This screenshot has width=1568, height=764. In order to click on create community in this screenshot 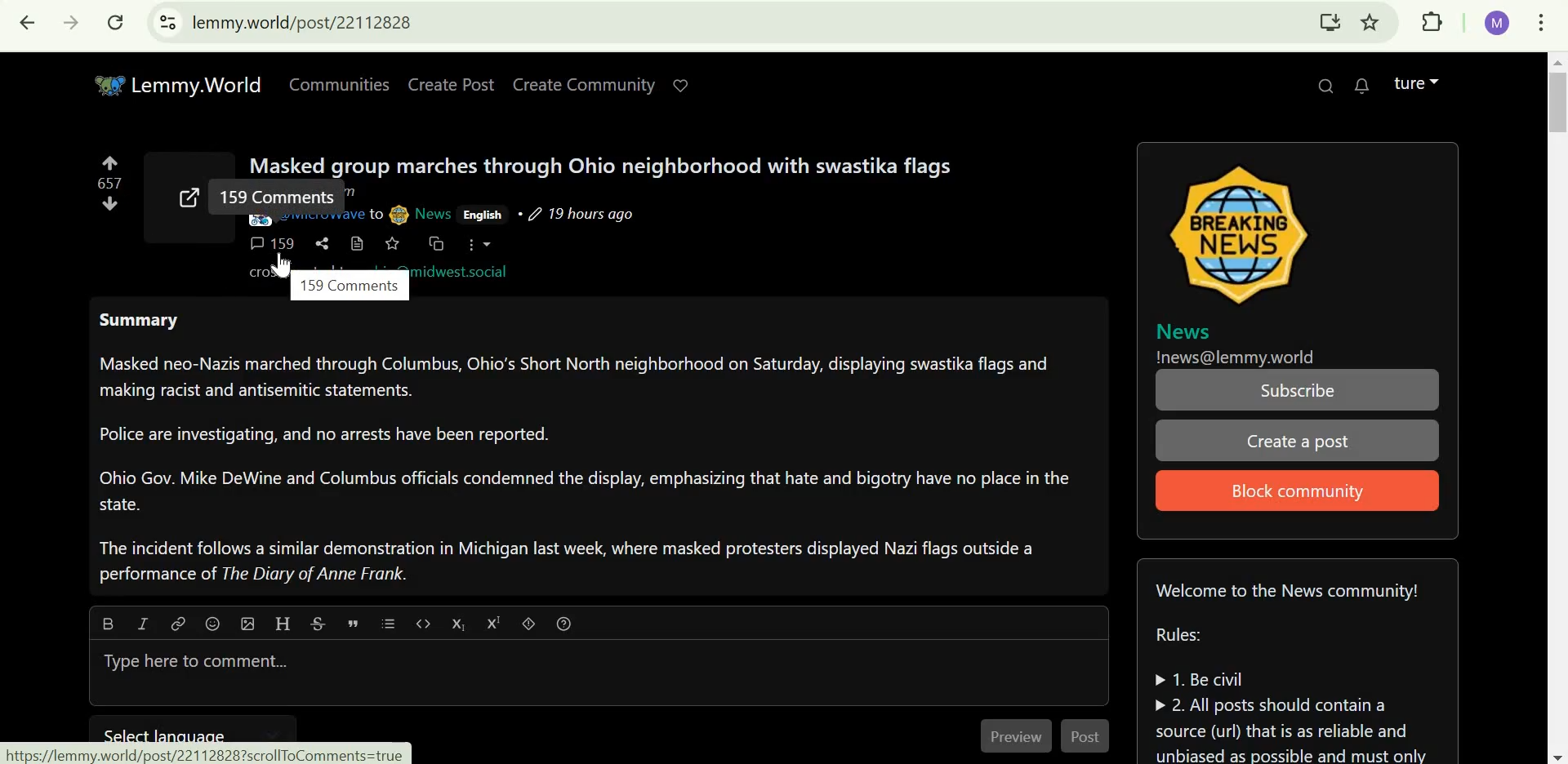, I will do `click(581, 84)`.